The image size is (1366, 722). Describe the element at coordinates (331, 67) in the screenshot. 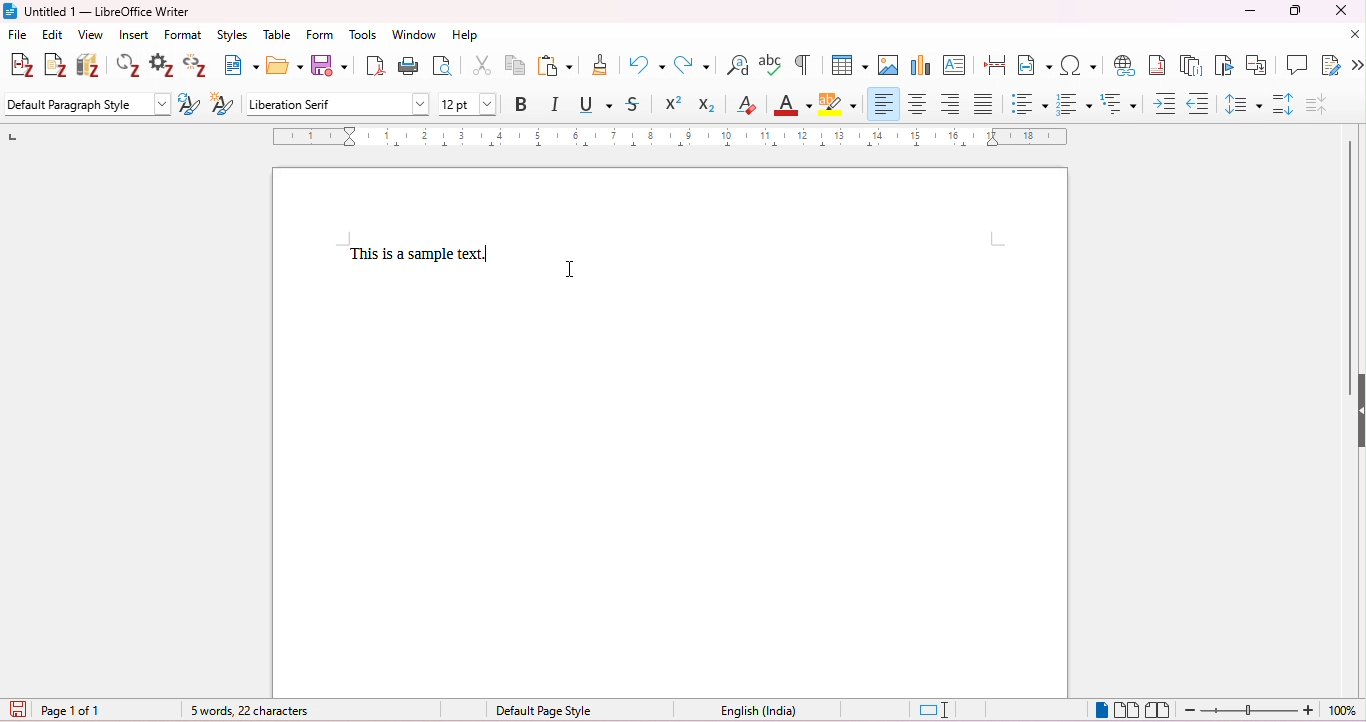

I see `save` at that location.